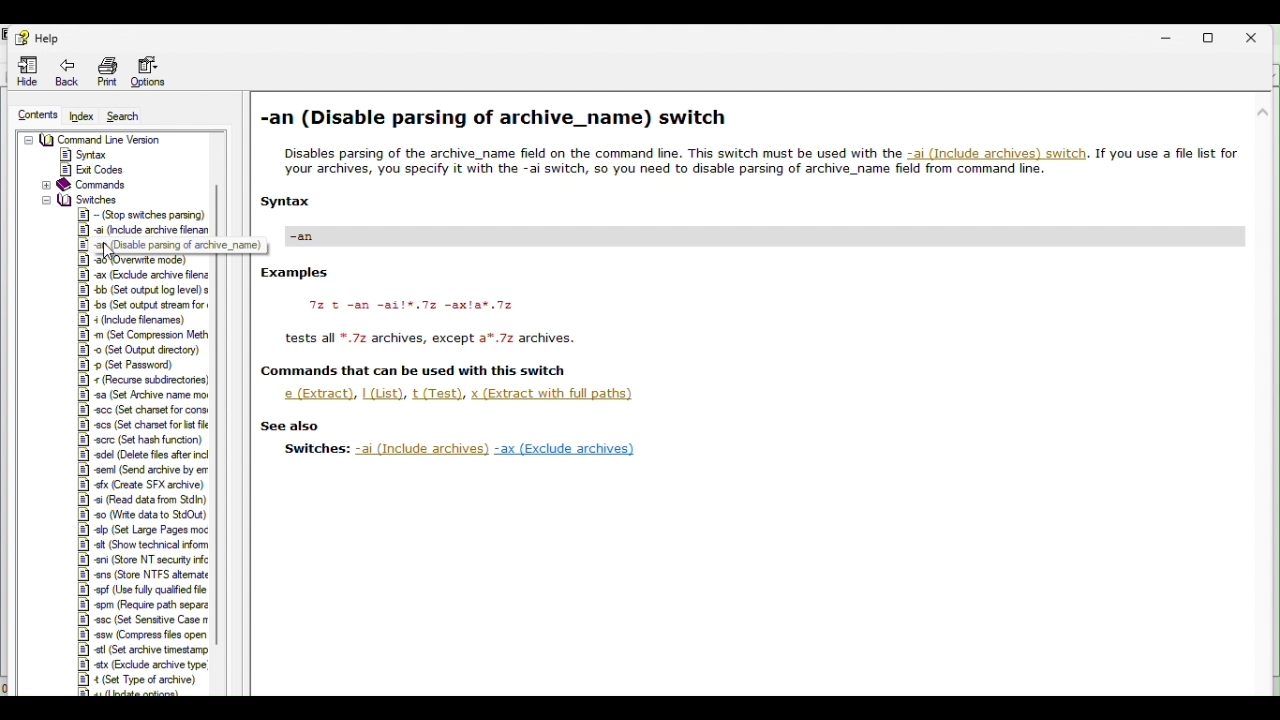  What do you see at coordinates (145, 333) in the screenshot?
I see `18] m (Set Compression Meth` at bounding box center [145, 333].